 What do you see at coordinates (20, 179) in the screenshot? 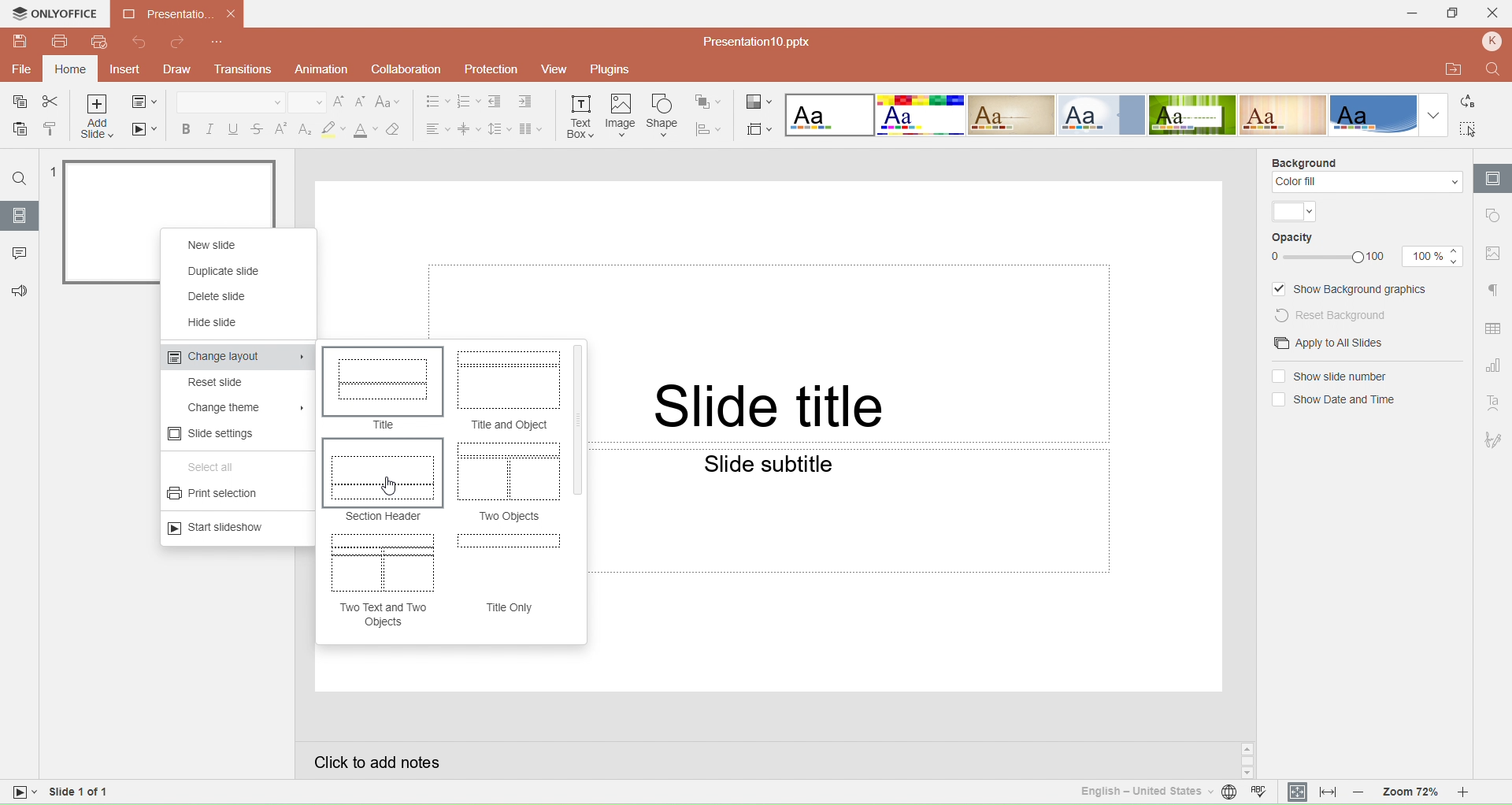
I see `Find` at bounding box center [20, 179].